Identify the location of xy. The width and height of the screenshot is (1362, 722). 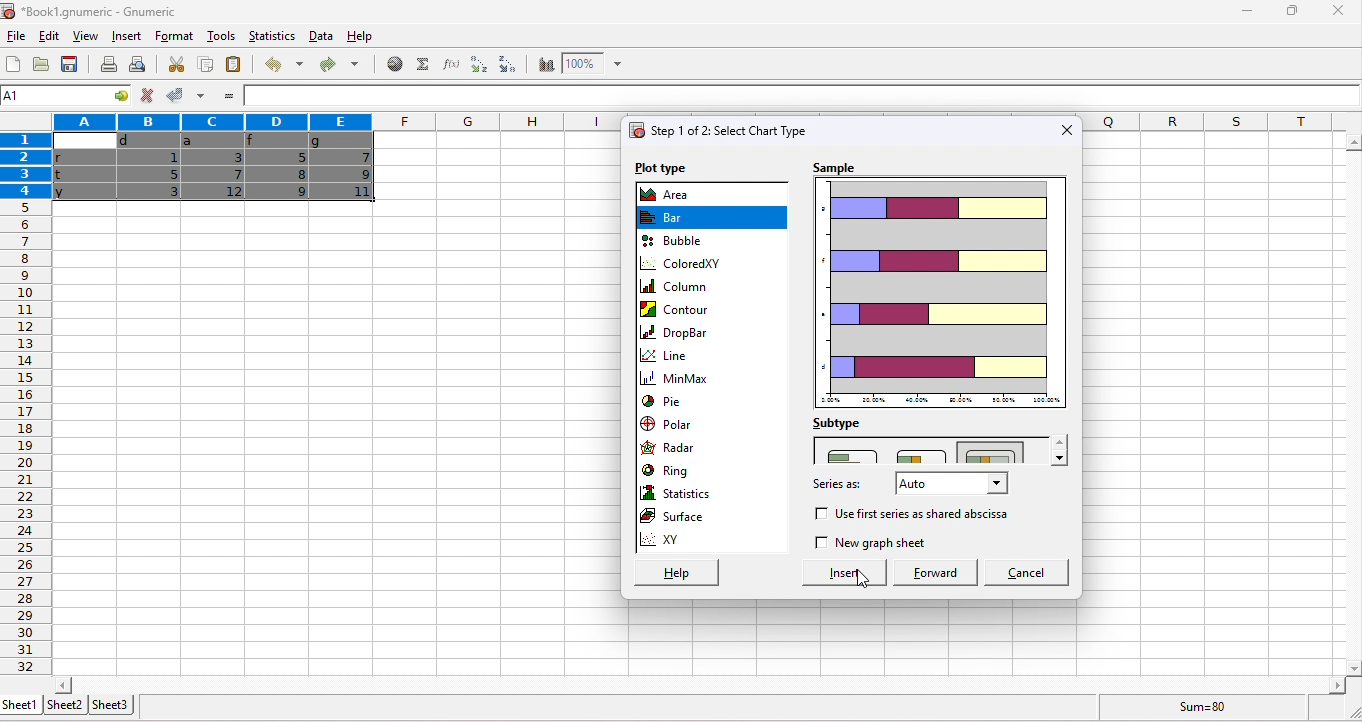
(711, 542).